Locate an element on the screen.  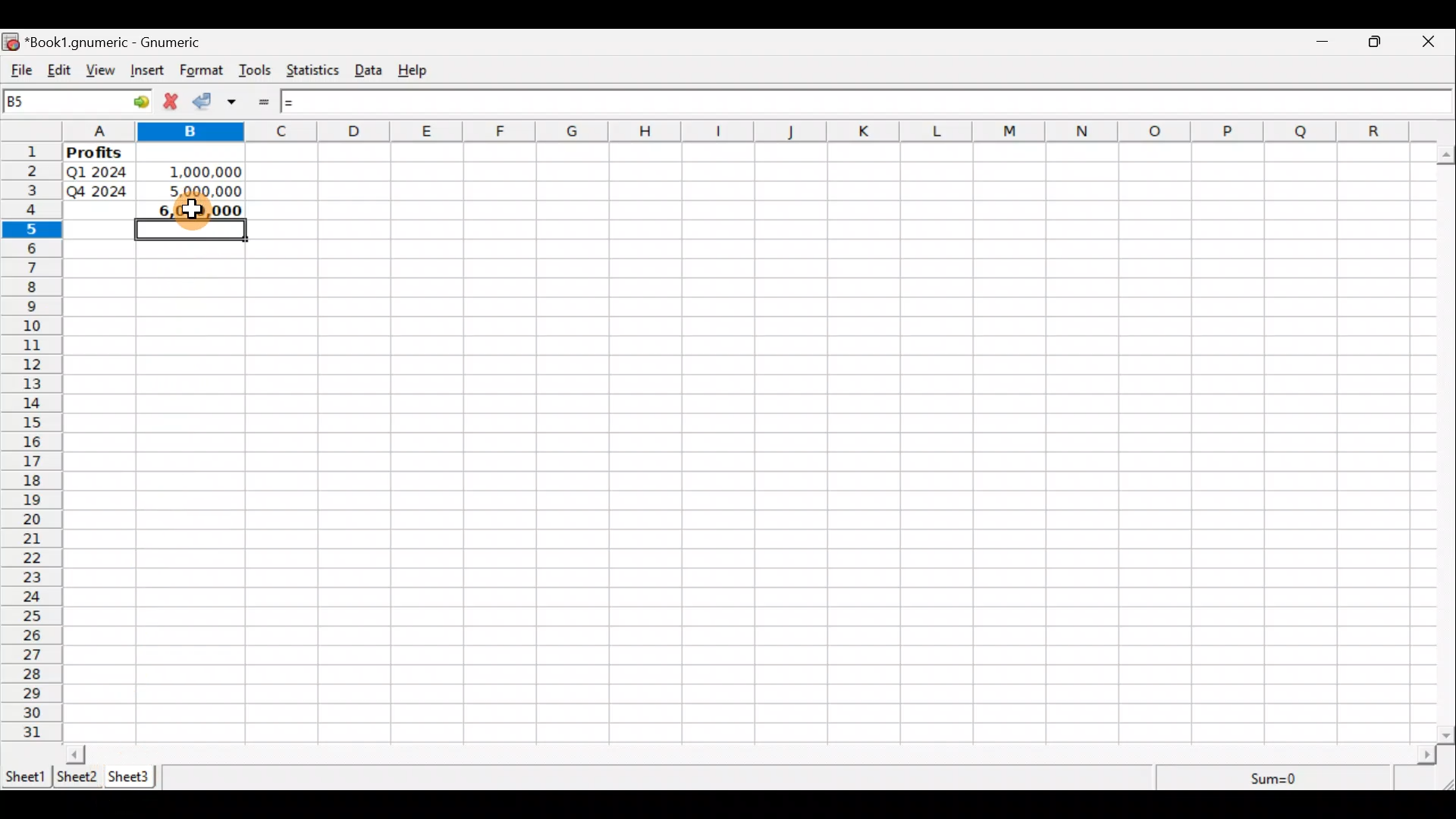
Sheet 1 is located at coordinates (26, 775).